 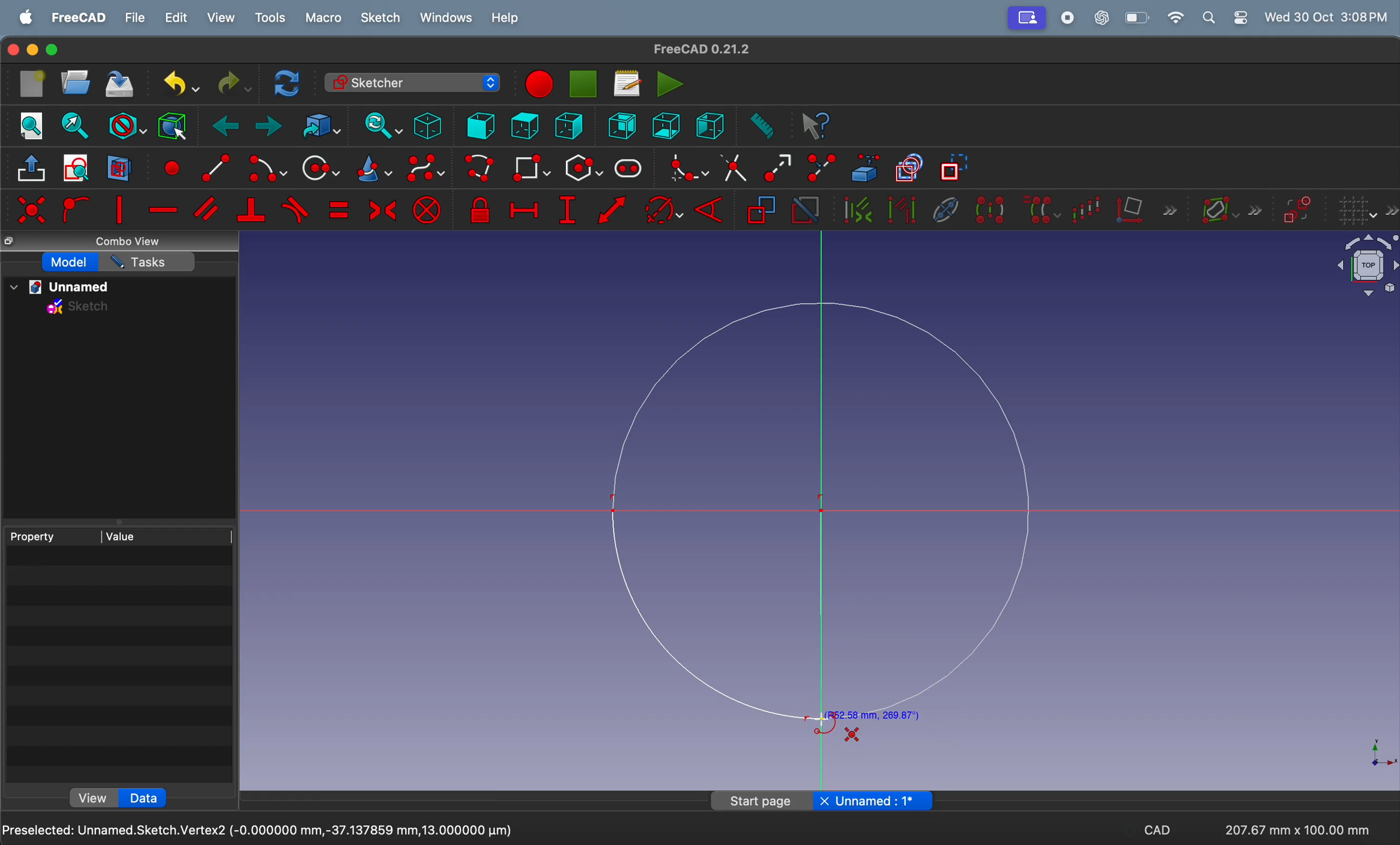 I want to click on save, so click(x=120, y=86).